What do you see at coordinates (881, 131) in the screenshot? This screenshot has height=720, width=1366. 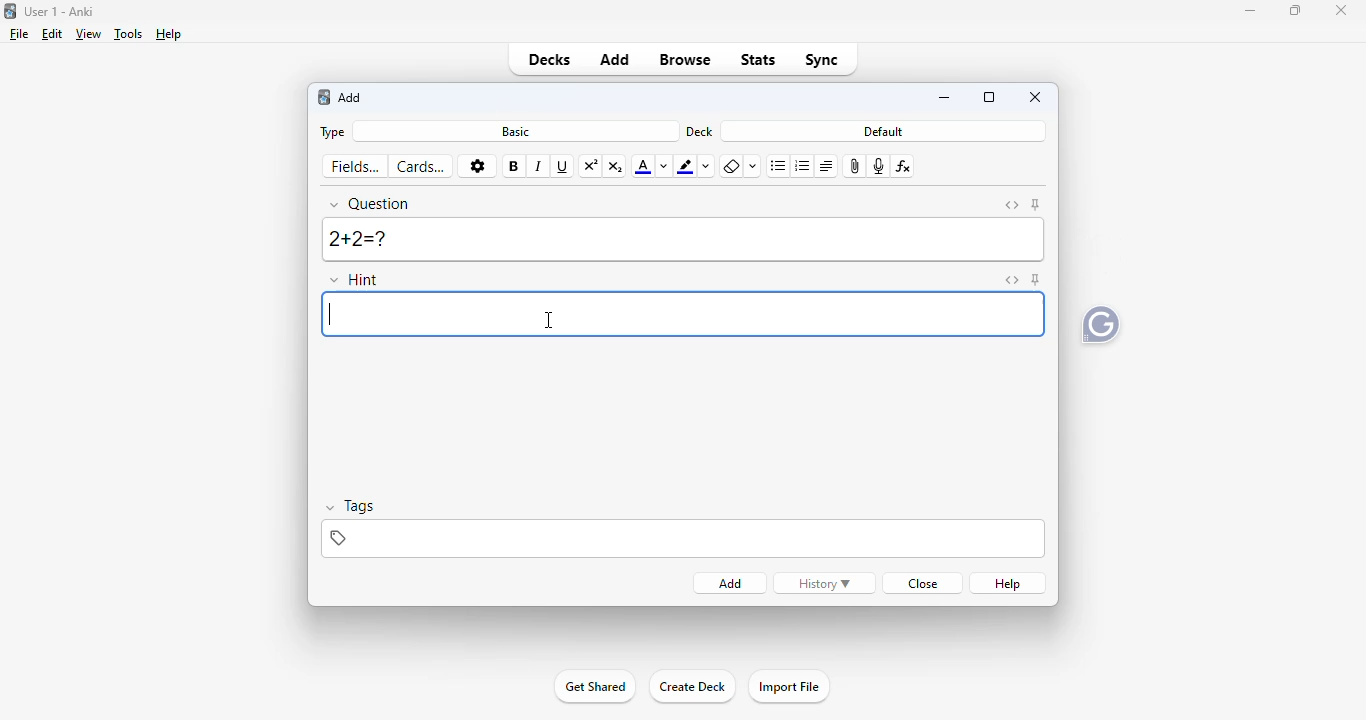 I see `default` at bounding box center [881, 131].